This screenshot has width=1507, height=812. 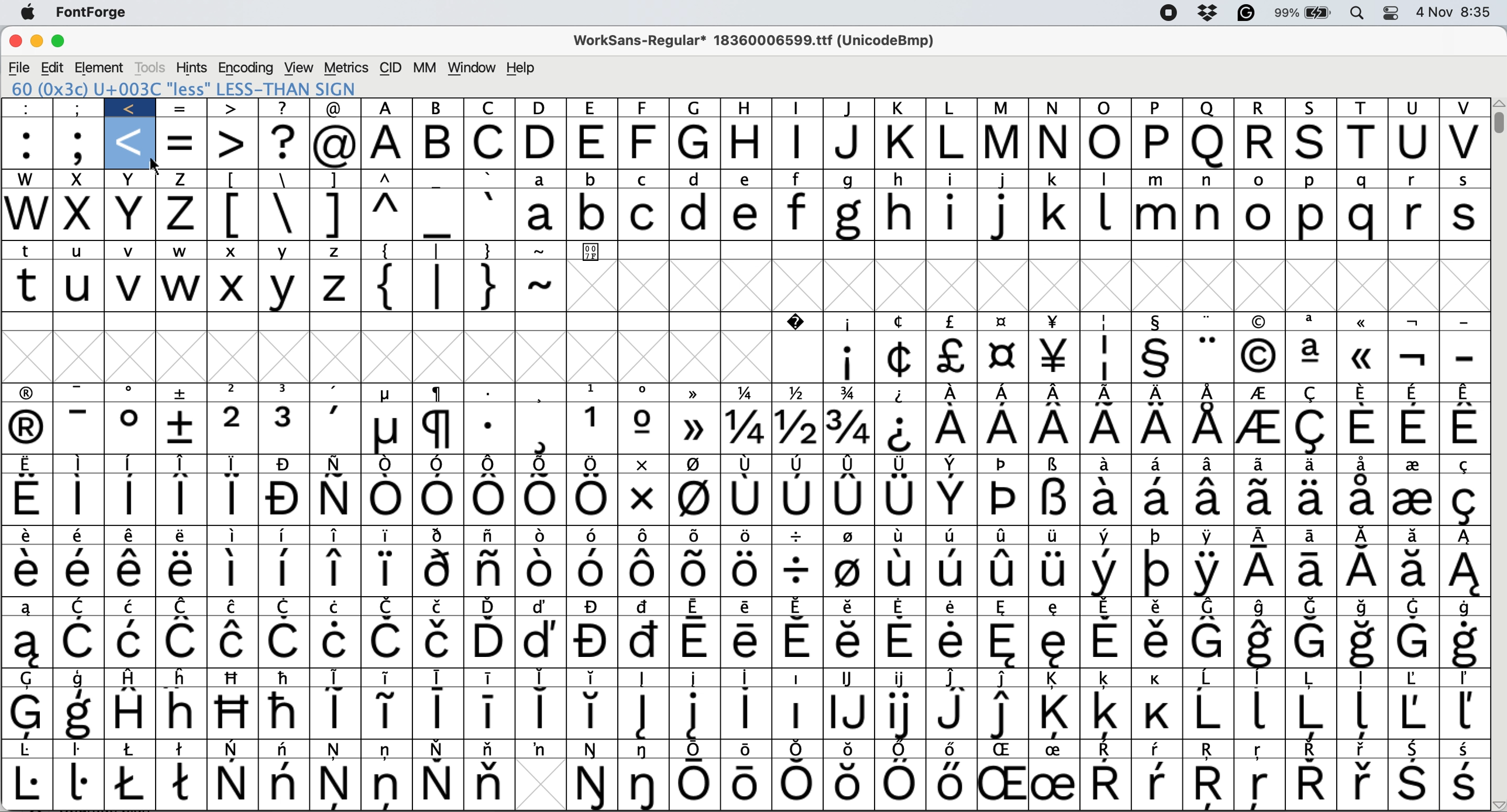 I want to click on [, so click(x=235, y=180).